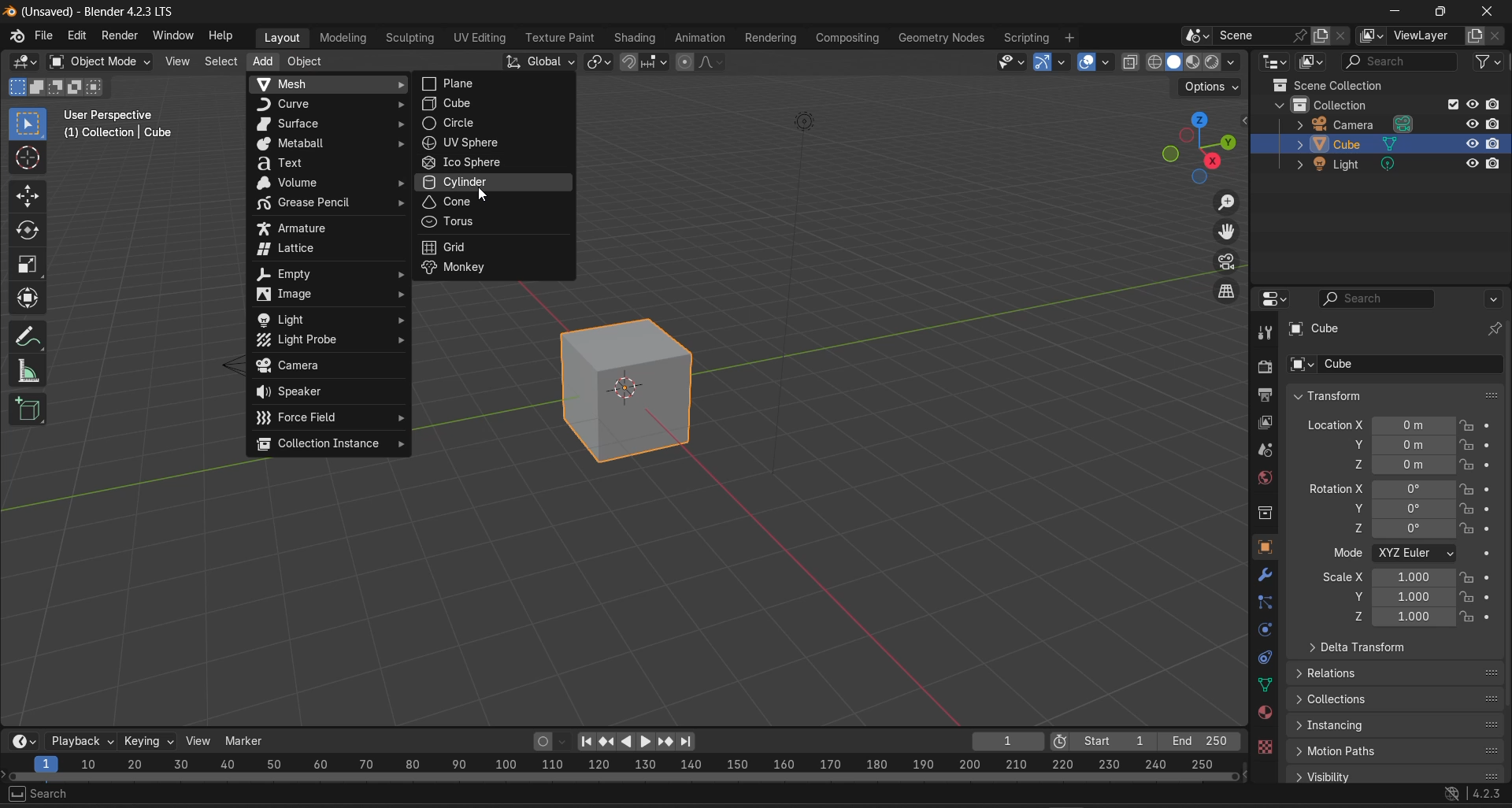  What do you see at coordinates (178, 61) in the screenshot?
I see `view` at bounding box center [178, 61].